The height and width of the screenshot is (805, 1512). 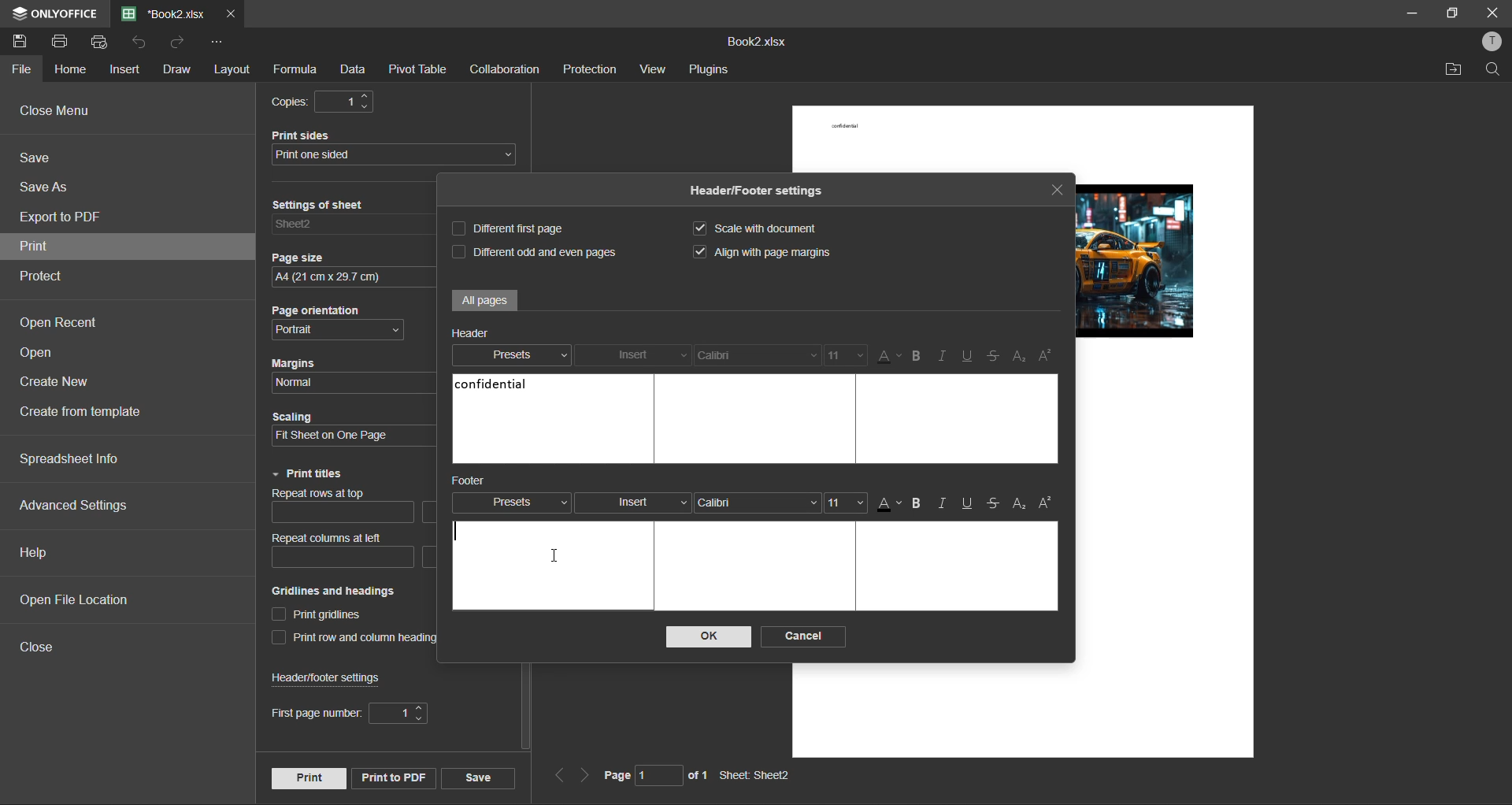 What do you see at coordinates (299, 257) in the screenshot?
I see `Page size` at bounding box center [299, 257].